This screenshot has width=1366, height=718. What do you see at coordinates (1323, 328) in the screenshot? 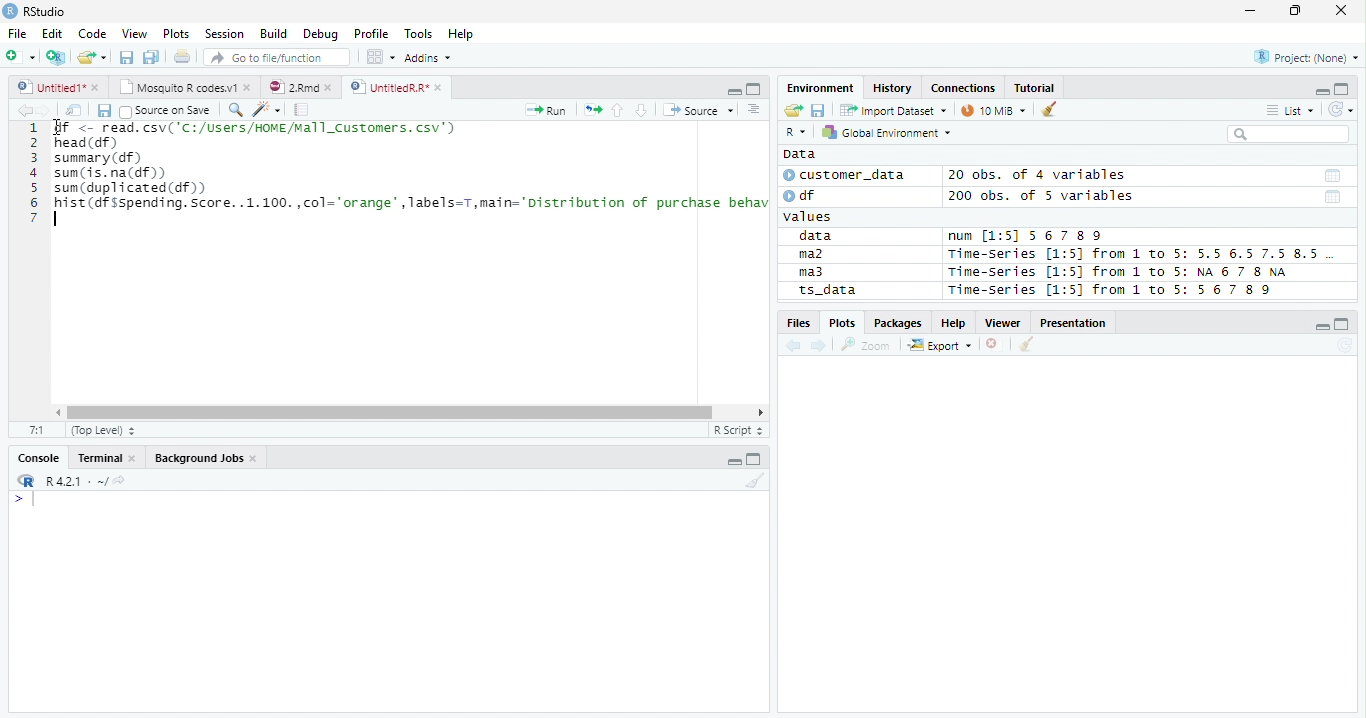
I see `Minimize` at bounding box center [1323, 328].